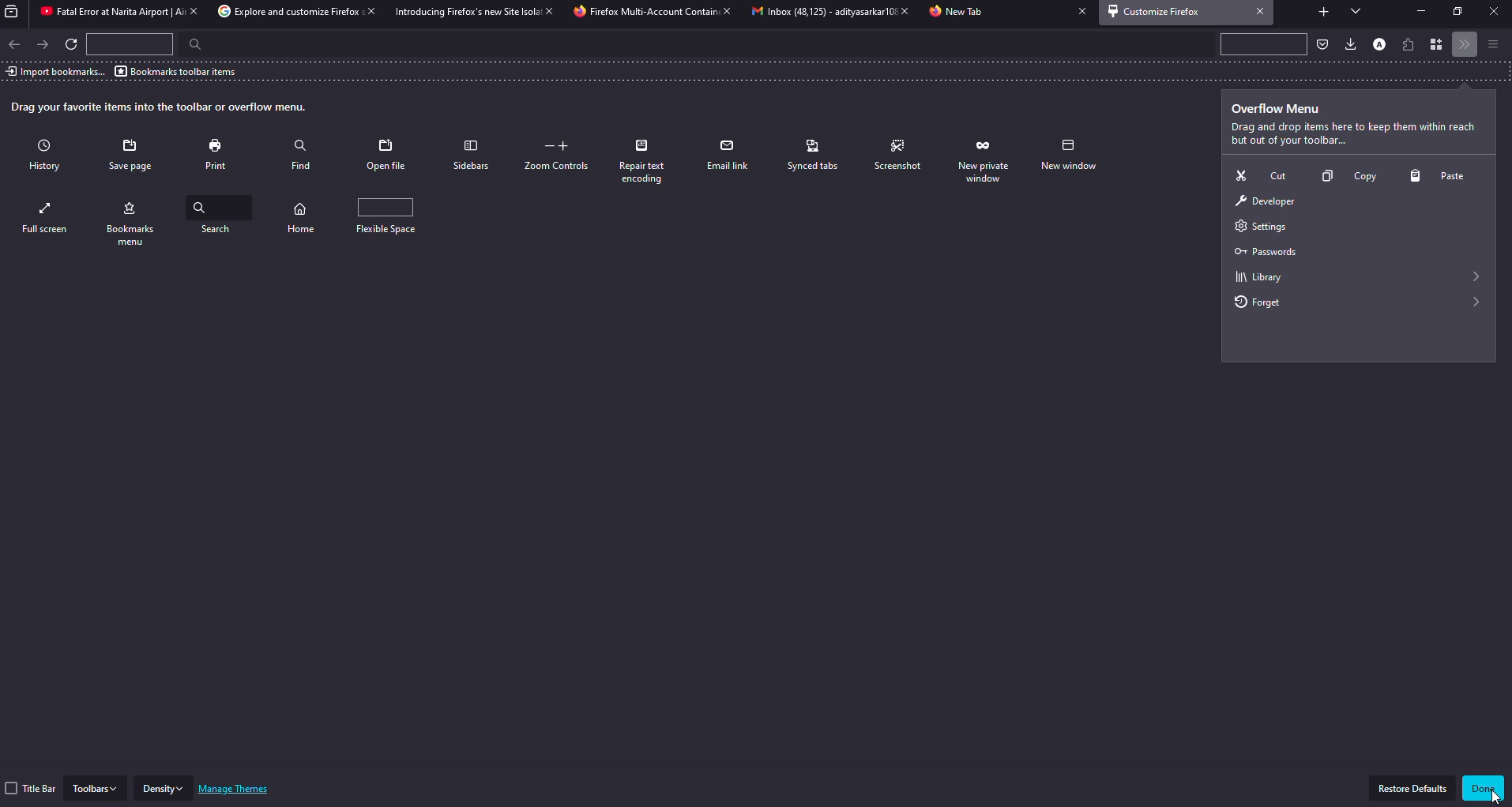 The image size is (1512, 807). Describe the element at coordinates (1322, 9) in the screenshot. I see `add` at that location.